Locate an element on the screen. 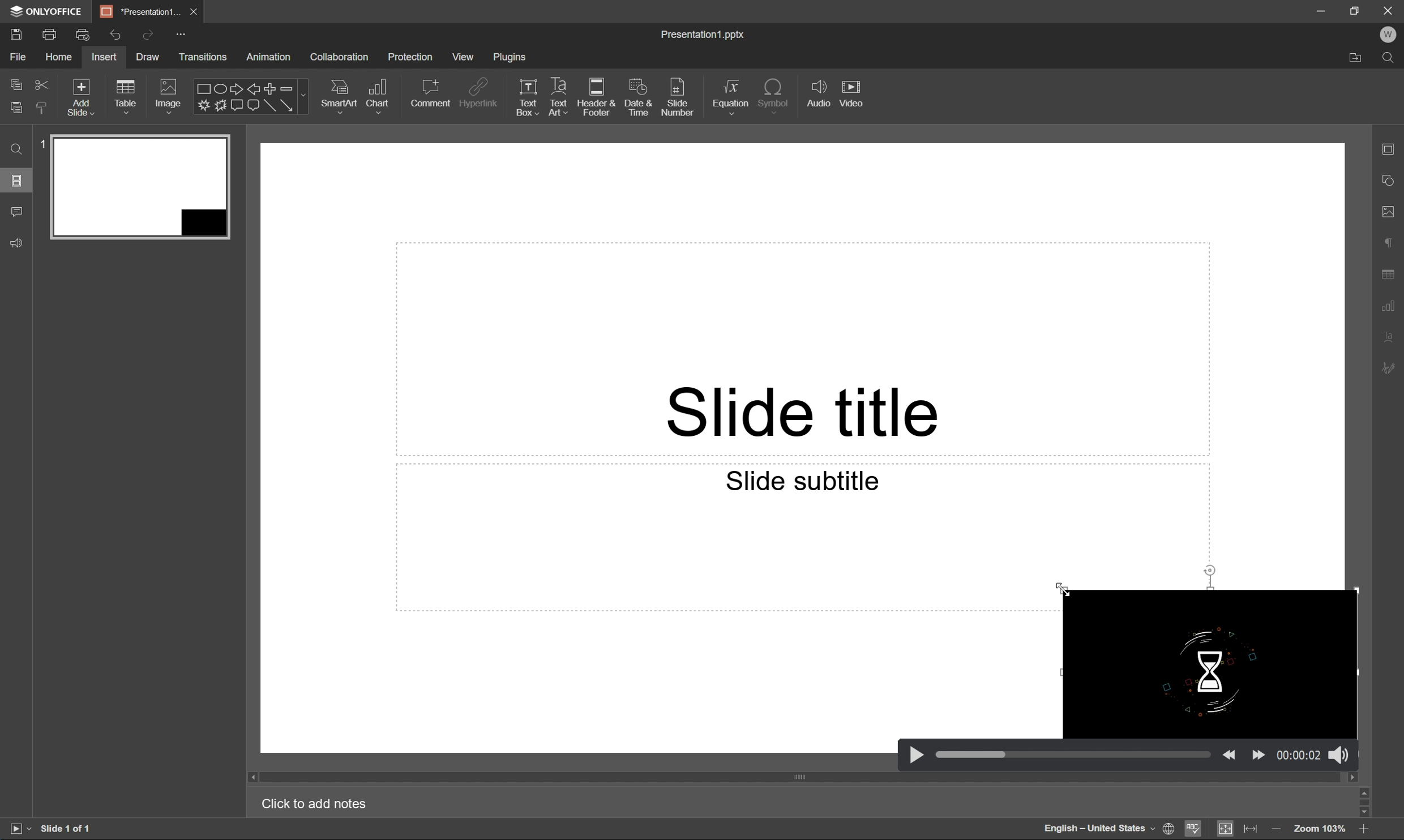 Image resolution: width=1404 pixels, height=840 pixels. slider is located at coordinates (1073, 756).